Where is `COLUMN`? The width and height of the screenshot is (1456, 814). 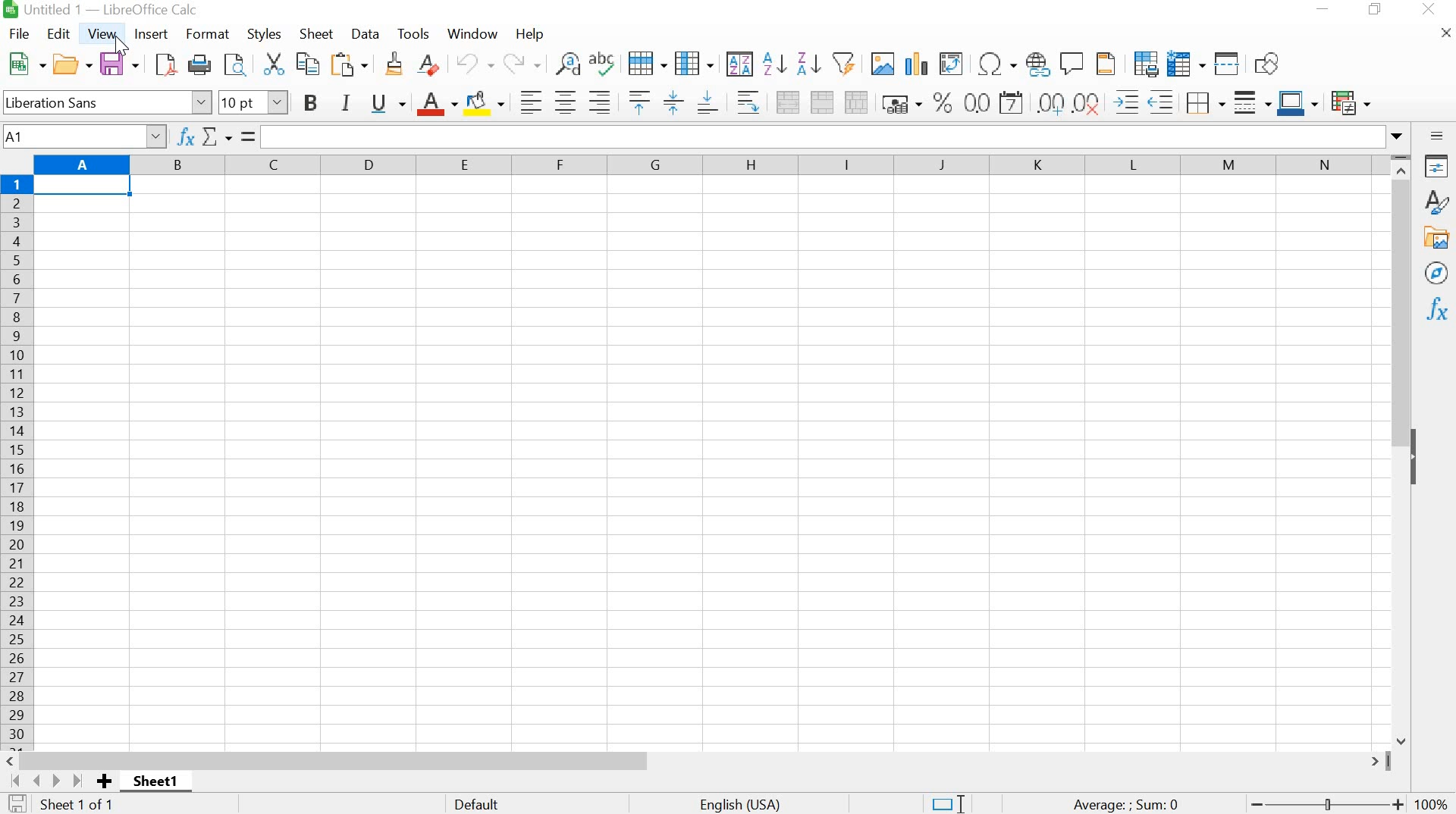 COLUMN is located at coordinates (695, 62).